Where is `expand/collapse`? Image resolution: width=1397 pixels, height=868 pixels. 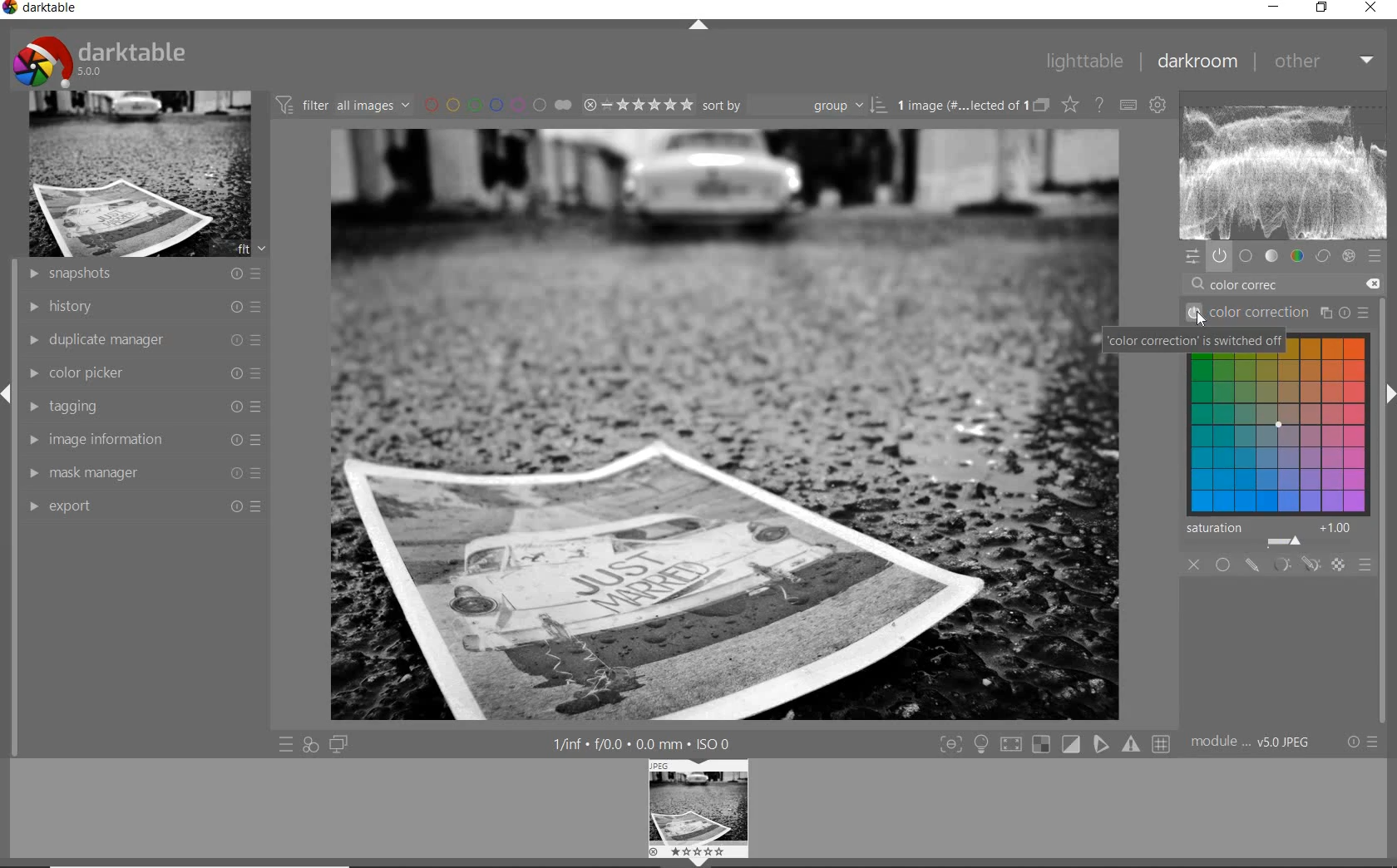 expand/collapse is located at coordinates (1389, 394).